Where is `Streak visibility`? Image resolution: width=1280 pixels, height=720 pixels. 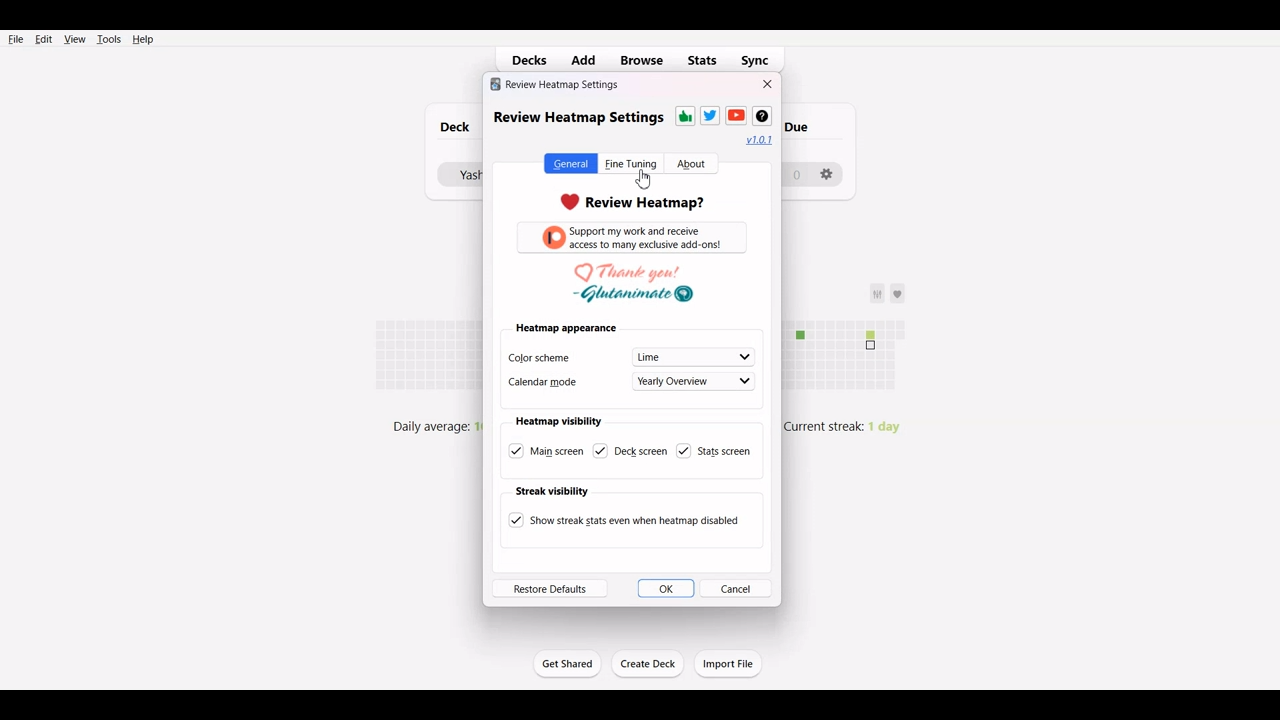
Streak visibility is located at coordinates (552, 491).